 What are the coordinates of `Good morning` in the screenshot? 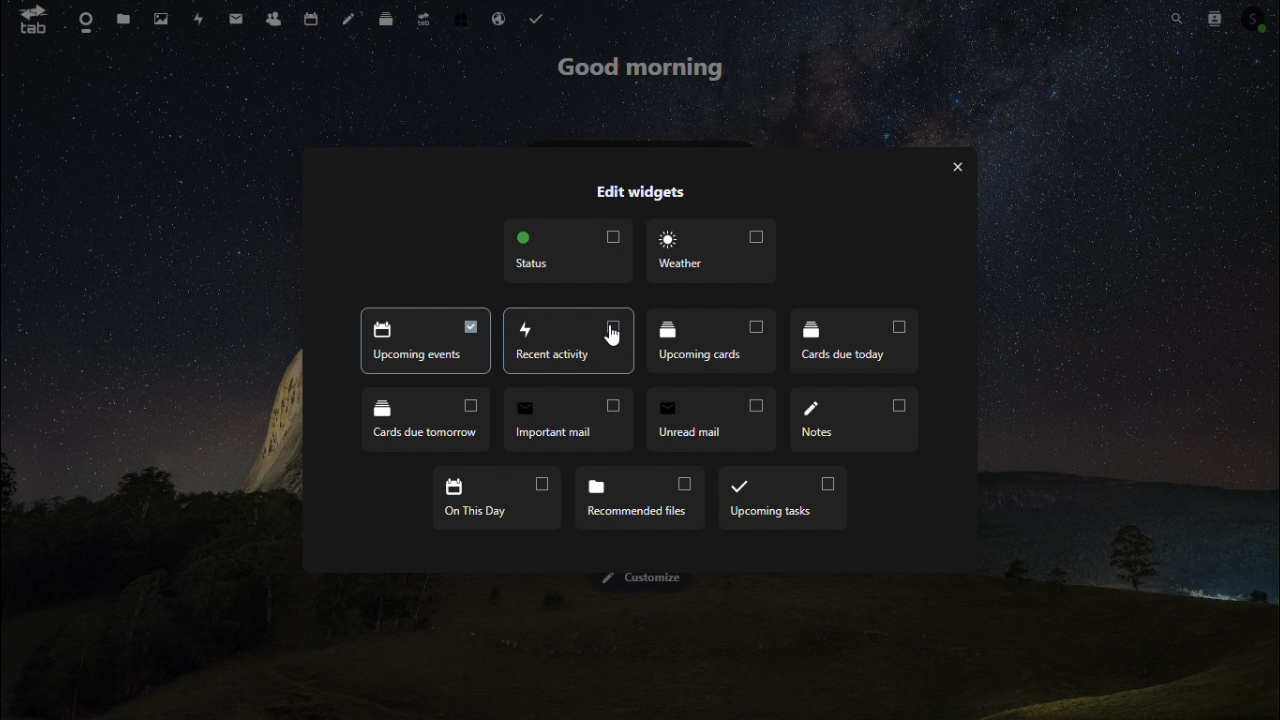 It's located at (645, 71).